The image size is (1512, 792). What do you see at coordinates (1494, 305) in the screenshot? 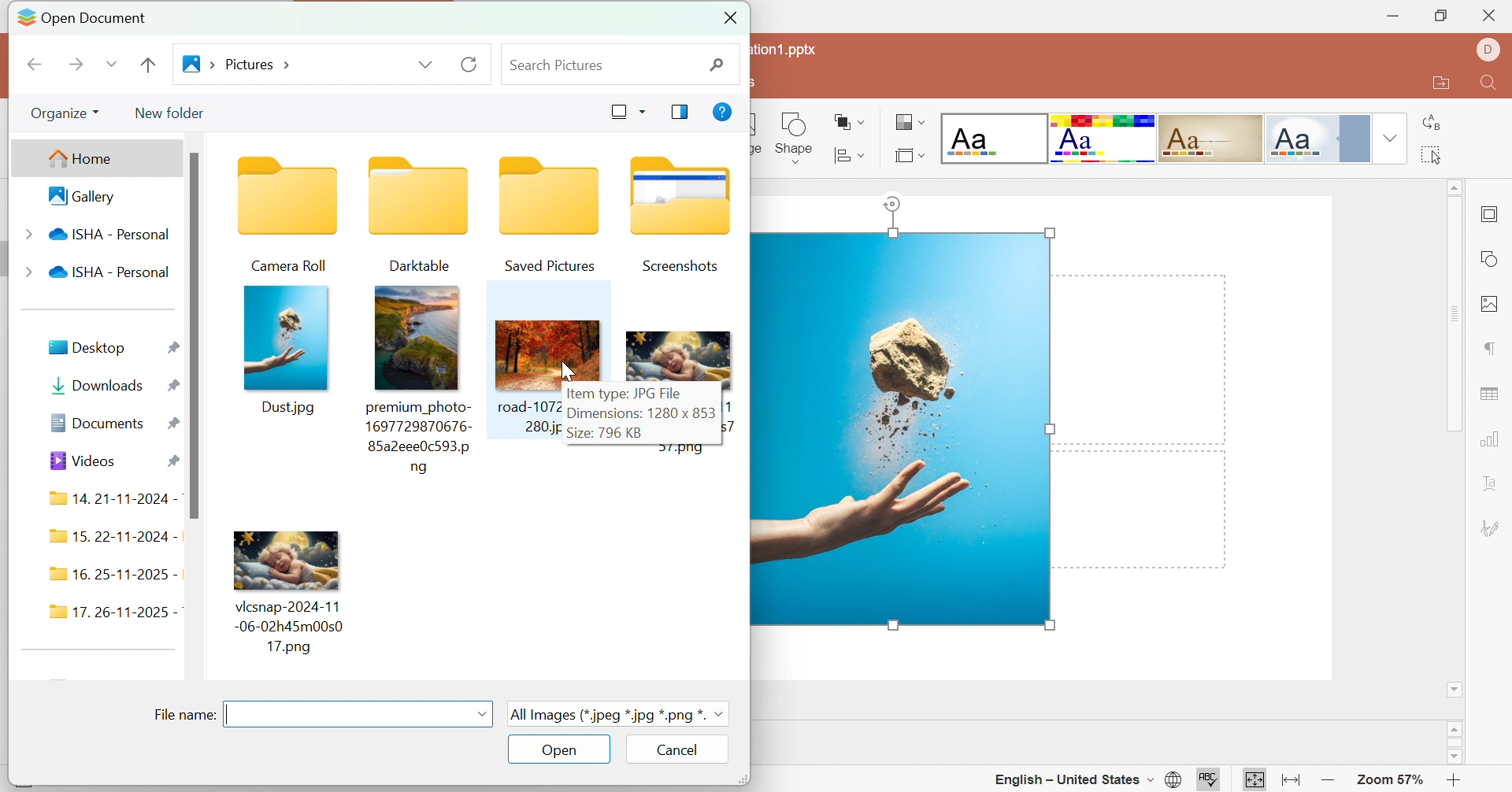
I see `image settings` at bounding box center [1494, 305].